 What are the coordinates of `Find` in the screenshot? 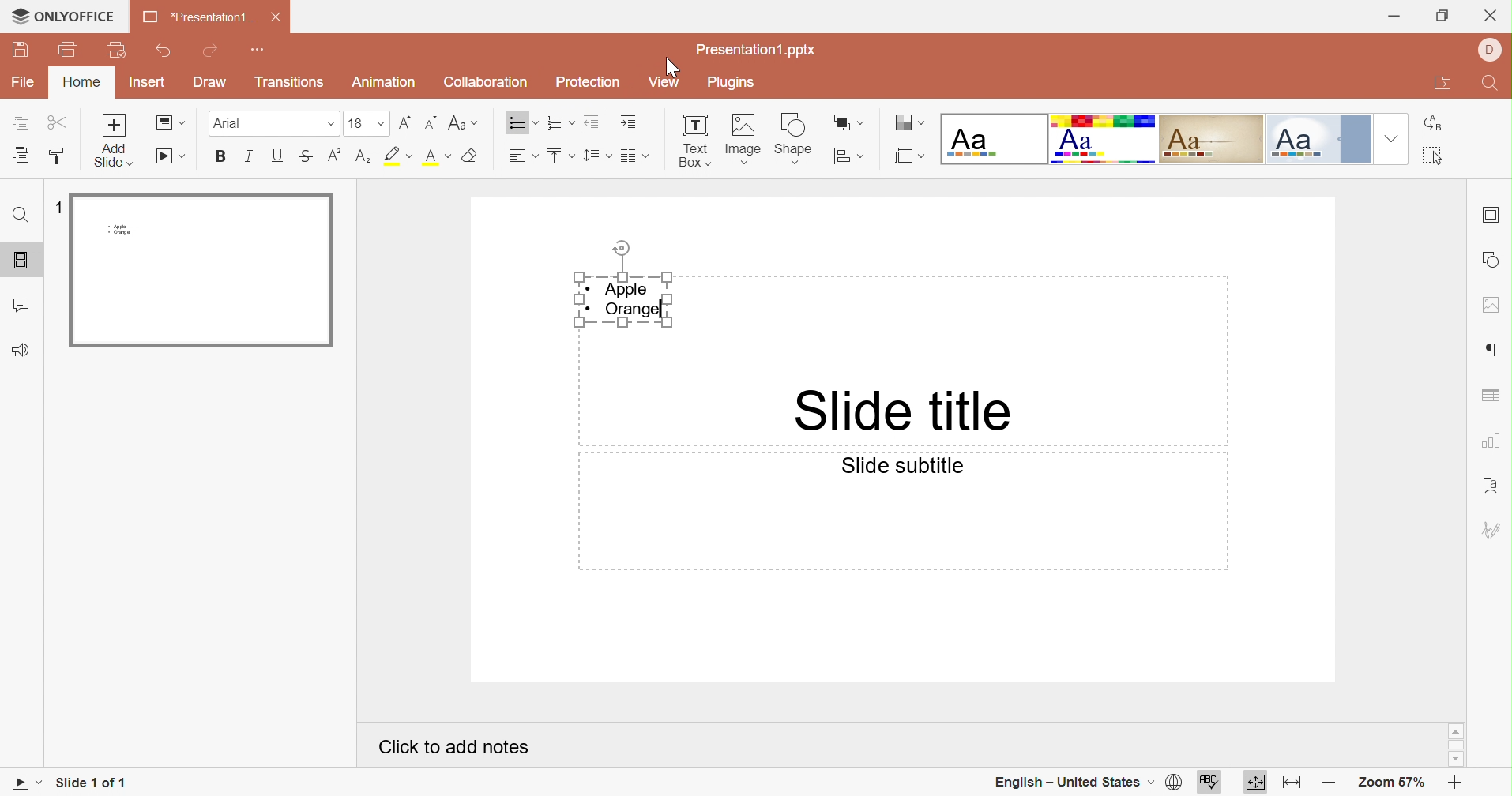 It's located at (1490, 85).